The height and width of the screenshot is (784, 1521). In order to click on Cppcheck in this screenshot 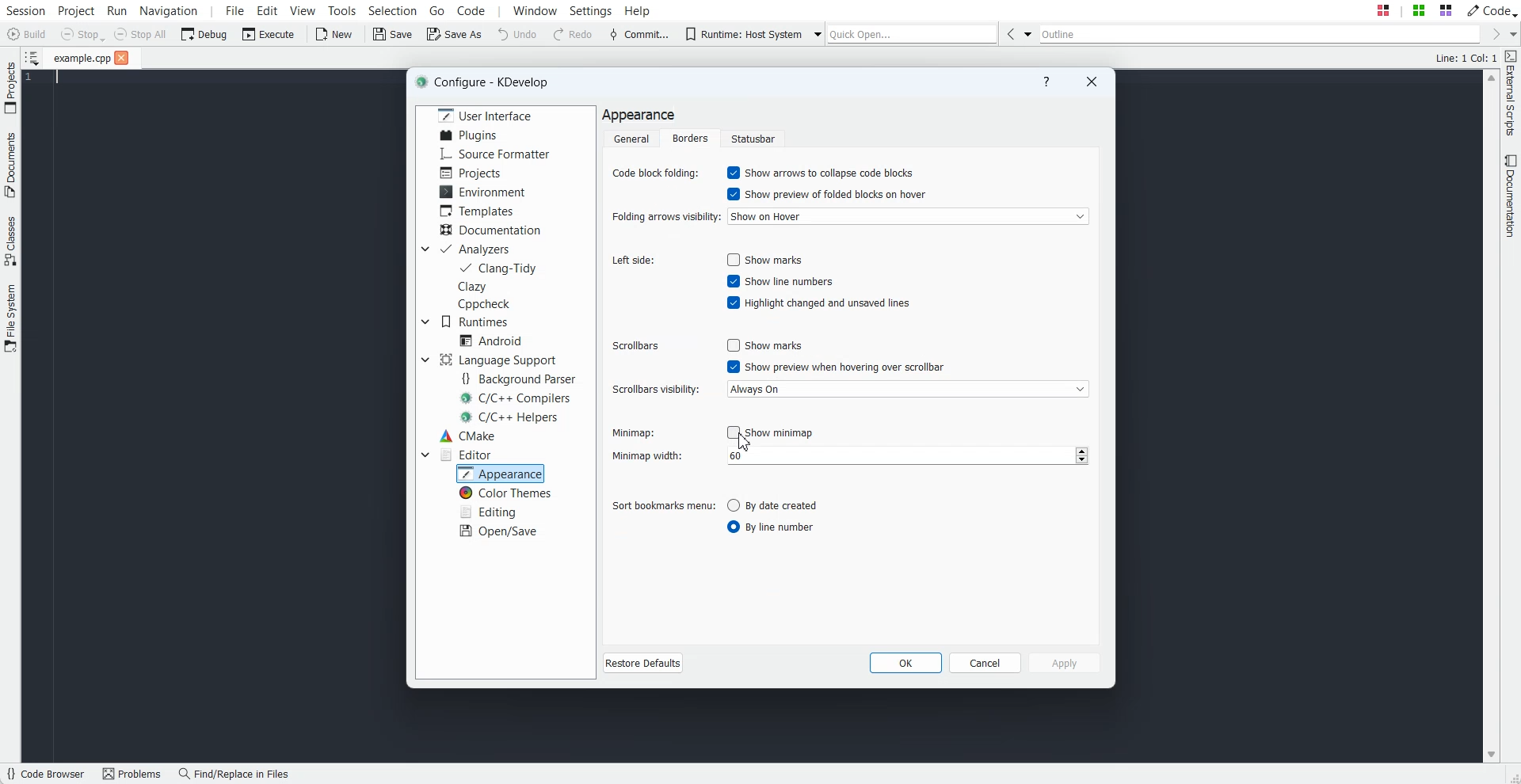, I will do `click(483, 304)`.